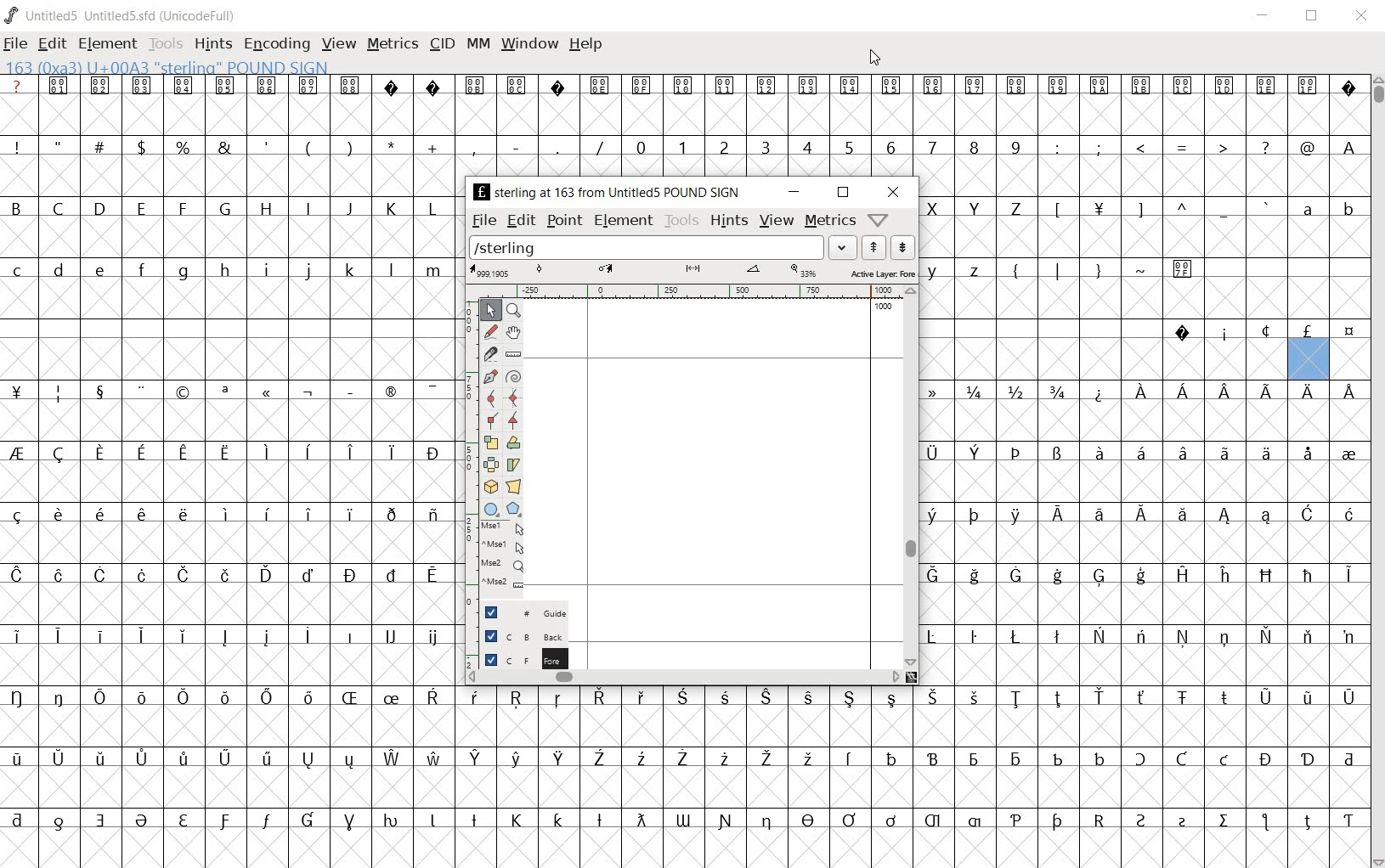 This screenshot has width=1385, height=868. Describe the element at coordinates (493, 483) in the screenshot. I see `3D rotate` at that location.